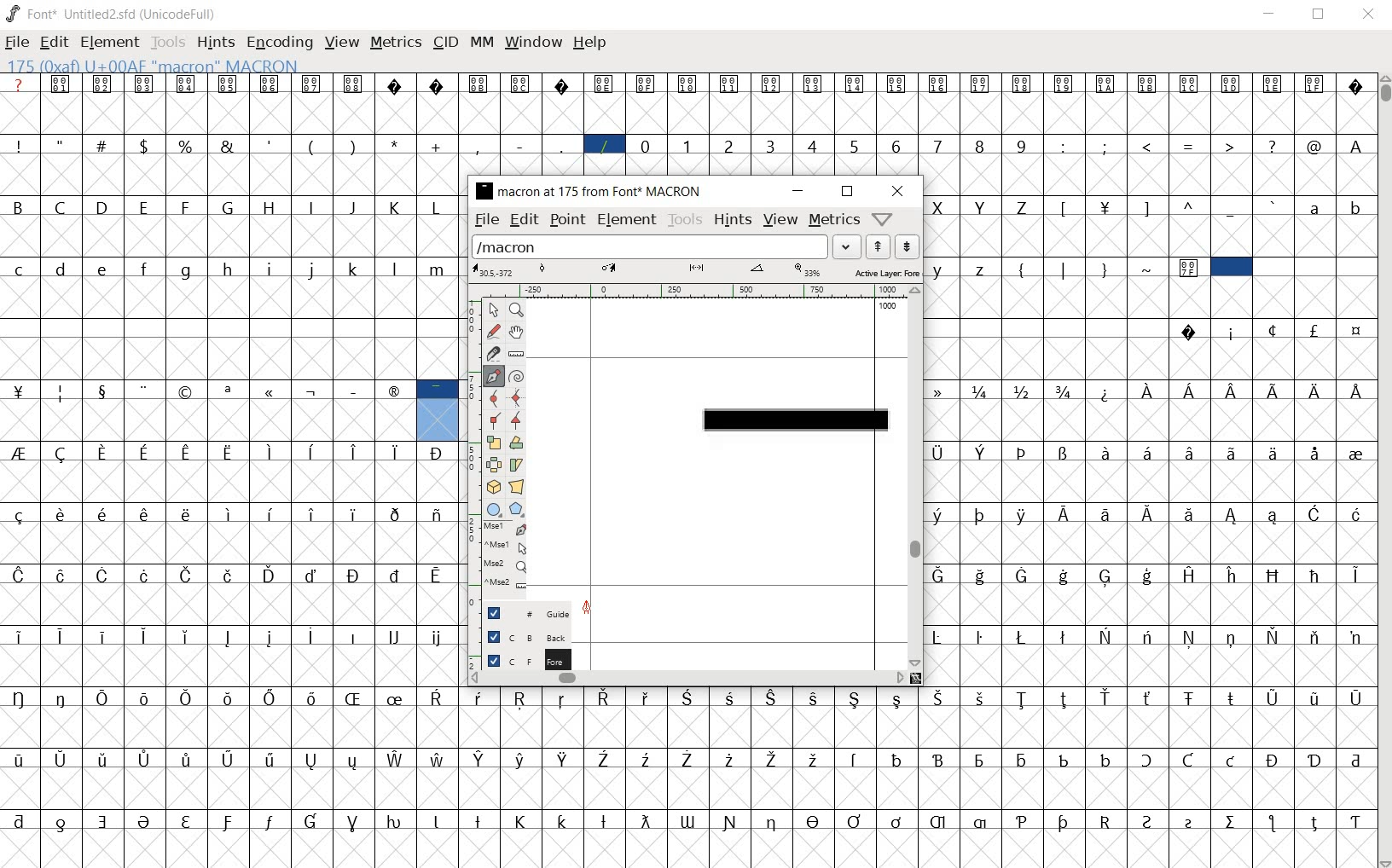 The width and height of the screenshot is (1392, 868). What do you see at coordinates (438, 145) in the screenshot?
I see `+` at bounding box center [438, 145].